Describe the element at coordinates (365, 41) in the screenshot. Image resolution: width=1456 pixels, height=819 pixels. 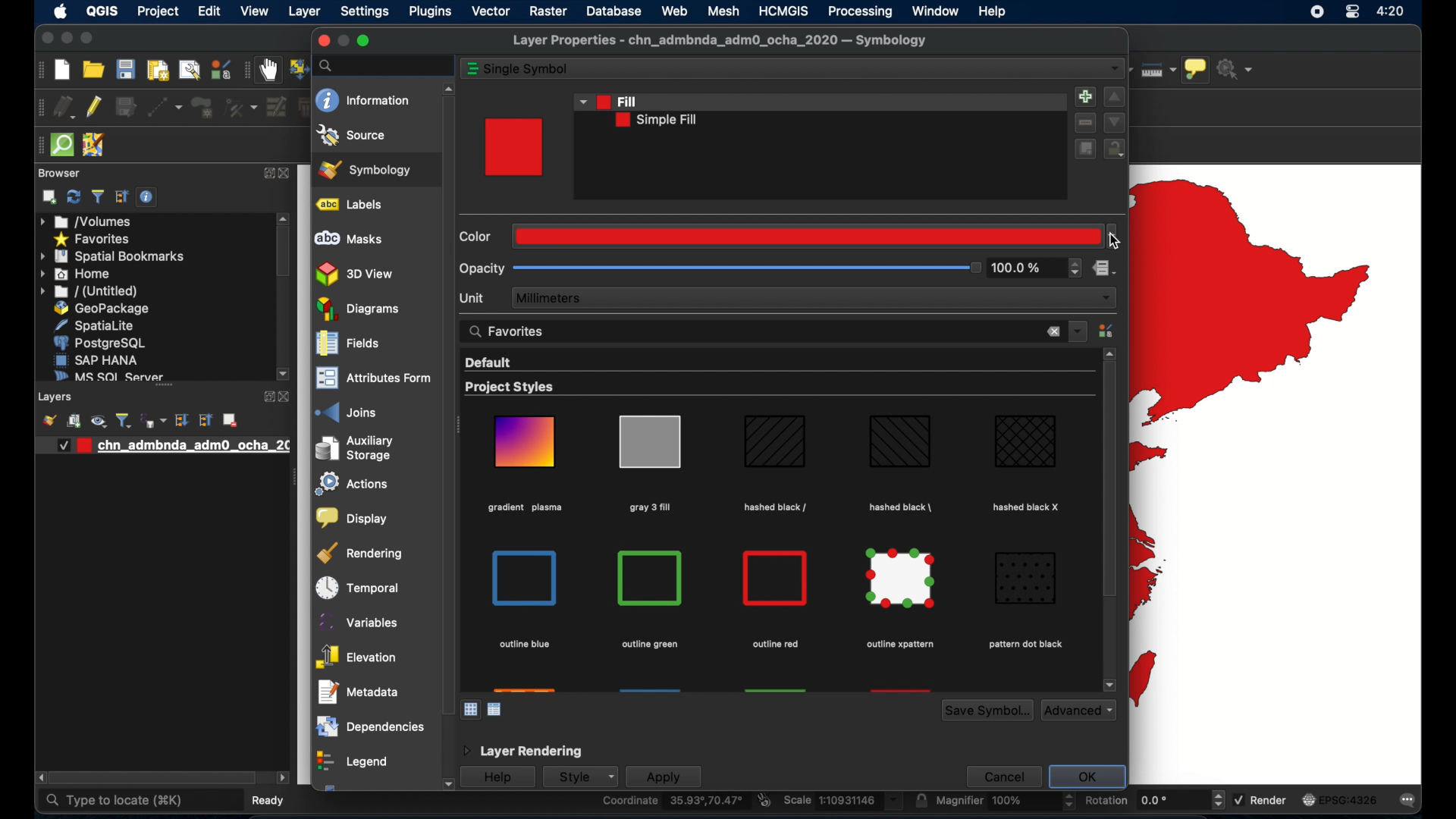
I see `maximize` at that location.